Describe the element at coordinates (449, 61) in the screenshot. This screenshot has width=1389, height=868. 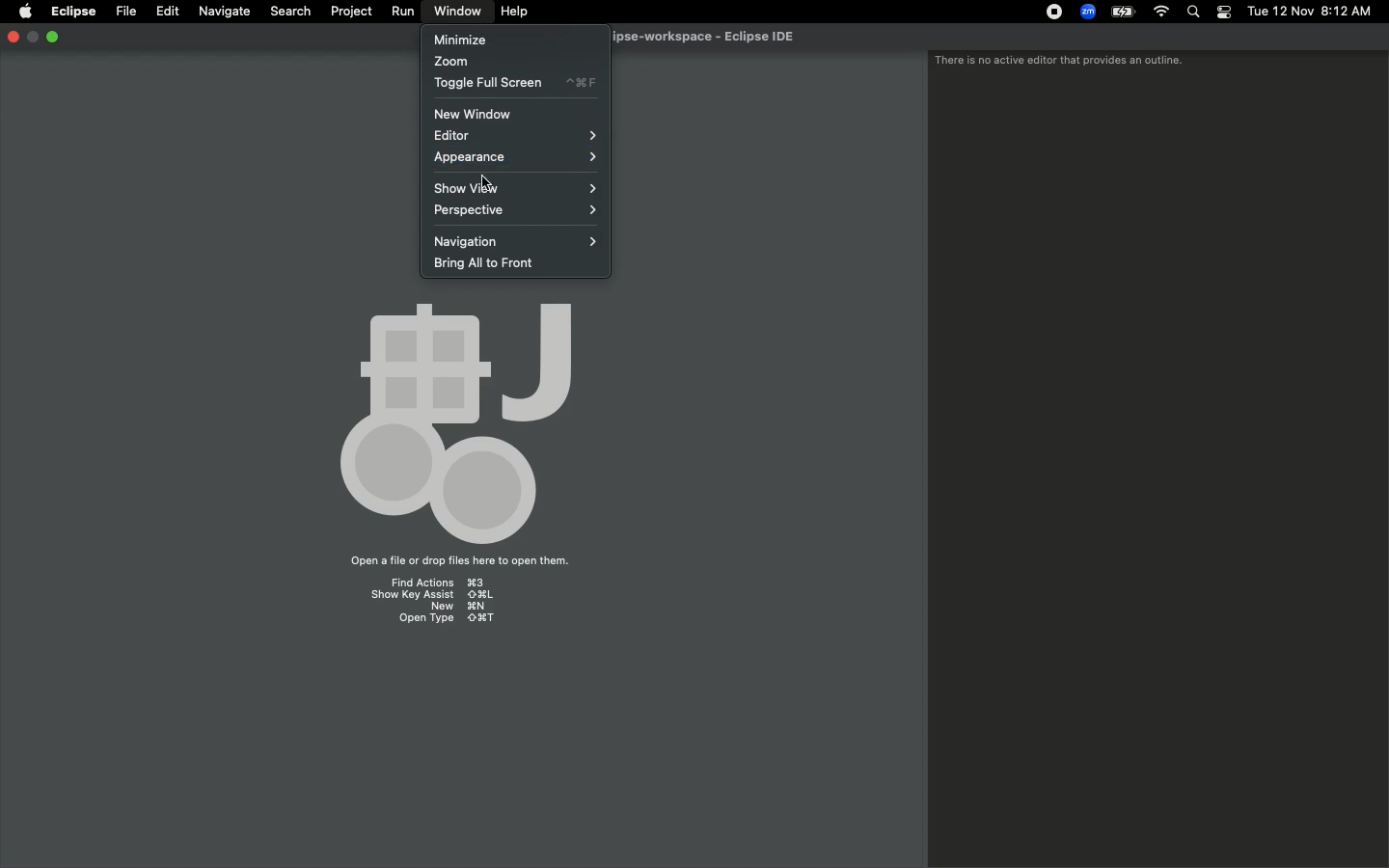
I see `Zoom` at that location.